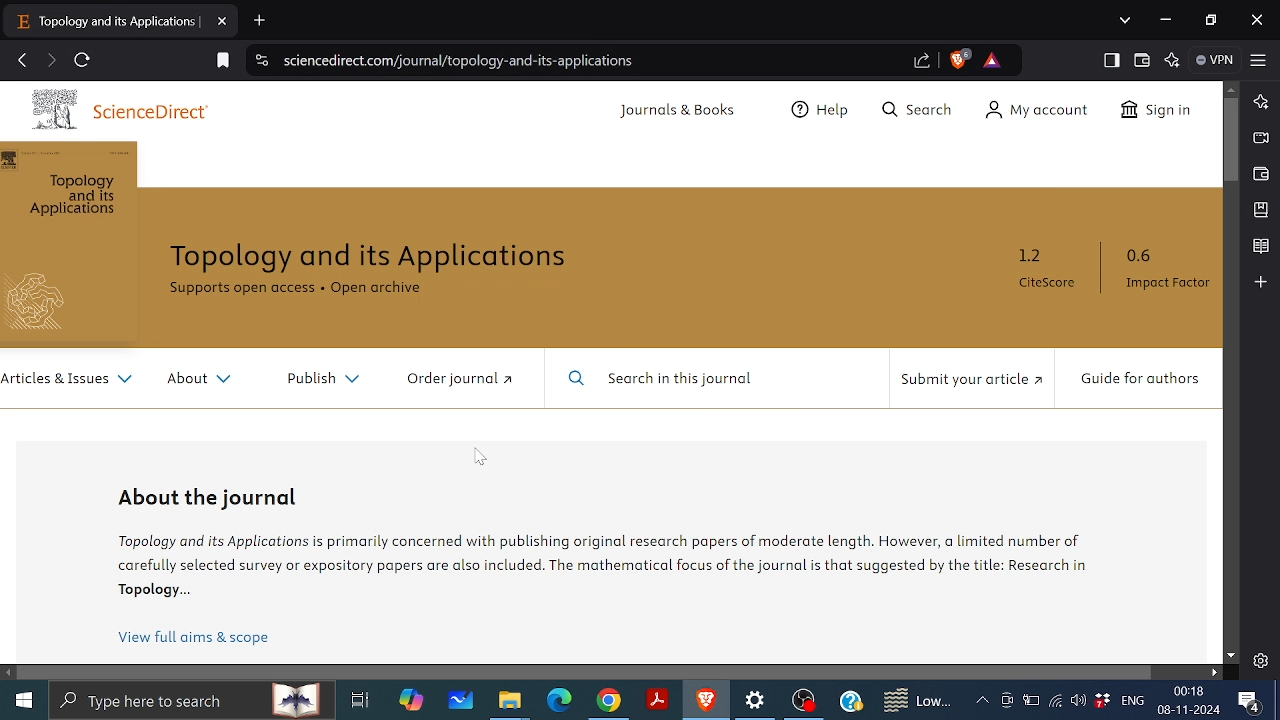 This screenshot has height=720, width=1280. Describe the element at coordinates (1231, 139) in the screenshot. I see `Vertical scroll bar` at that location.